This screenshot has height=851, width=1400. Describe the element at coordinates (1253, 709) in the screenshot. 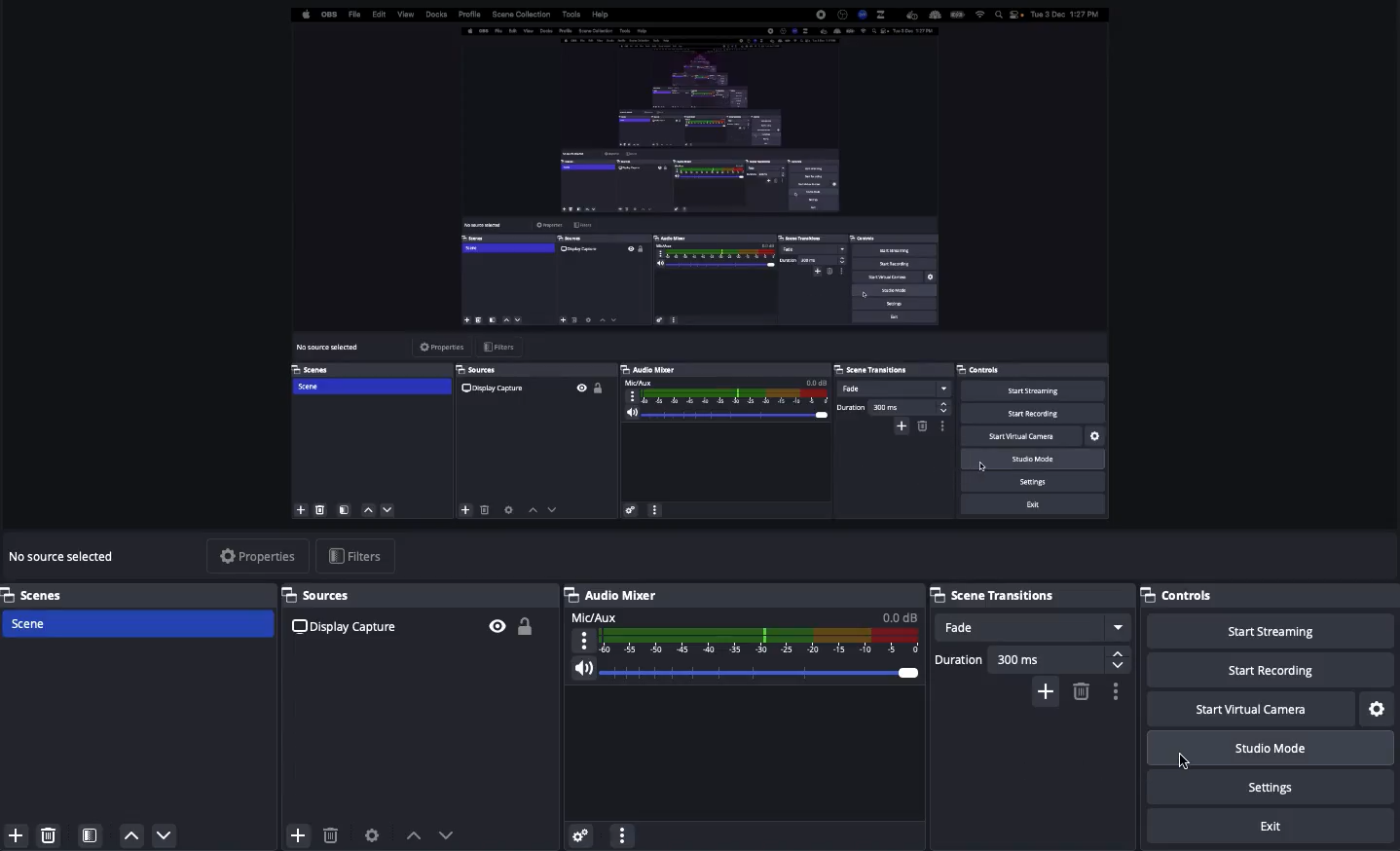

I see `Start virtual camera` at that location.